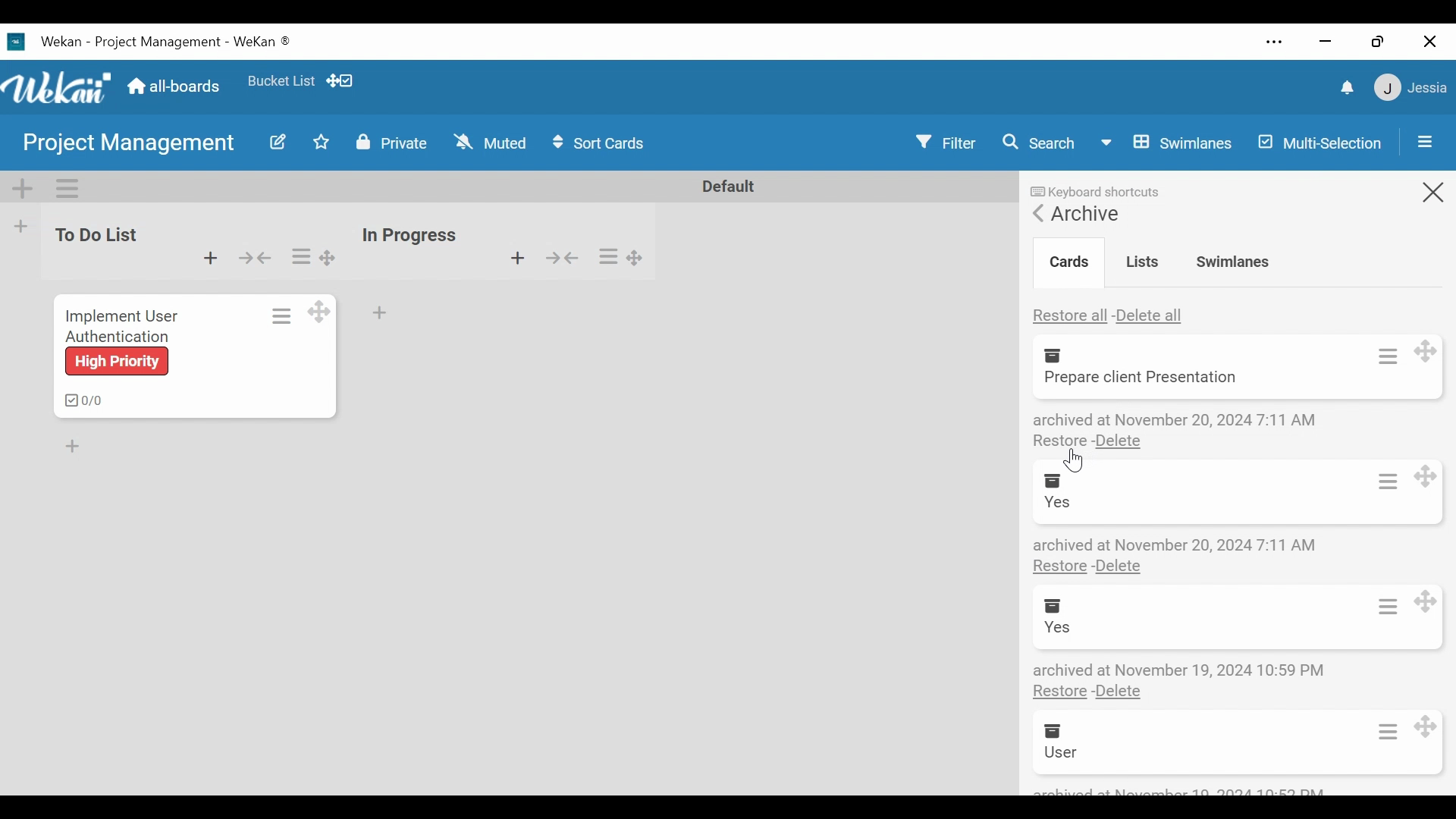 Image resolution: width=1456 pixels, height=819 pixels. What do you see at coordinates (175, 82) in the screenshot?
I see `Home(all boards)` at bounding box center [175, 82].